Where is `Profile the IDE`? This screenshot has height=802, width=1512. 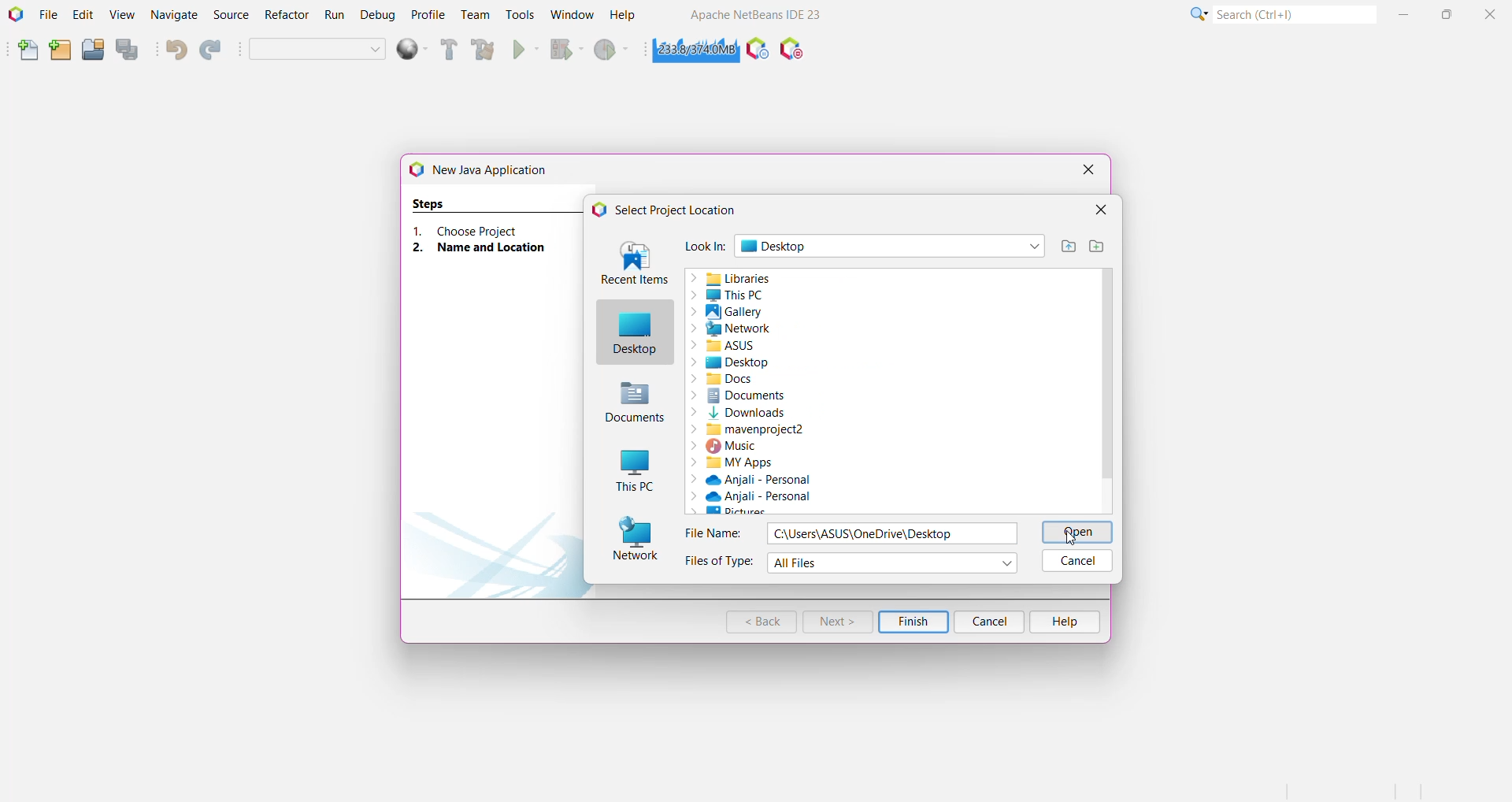 Profile the IDE is located at coordinates (757, 51).